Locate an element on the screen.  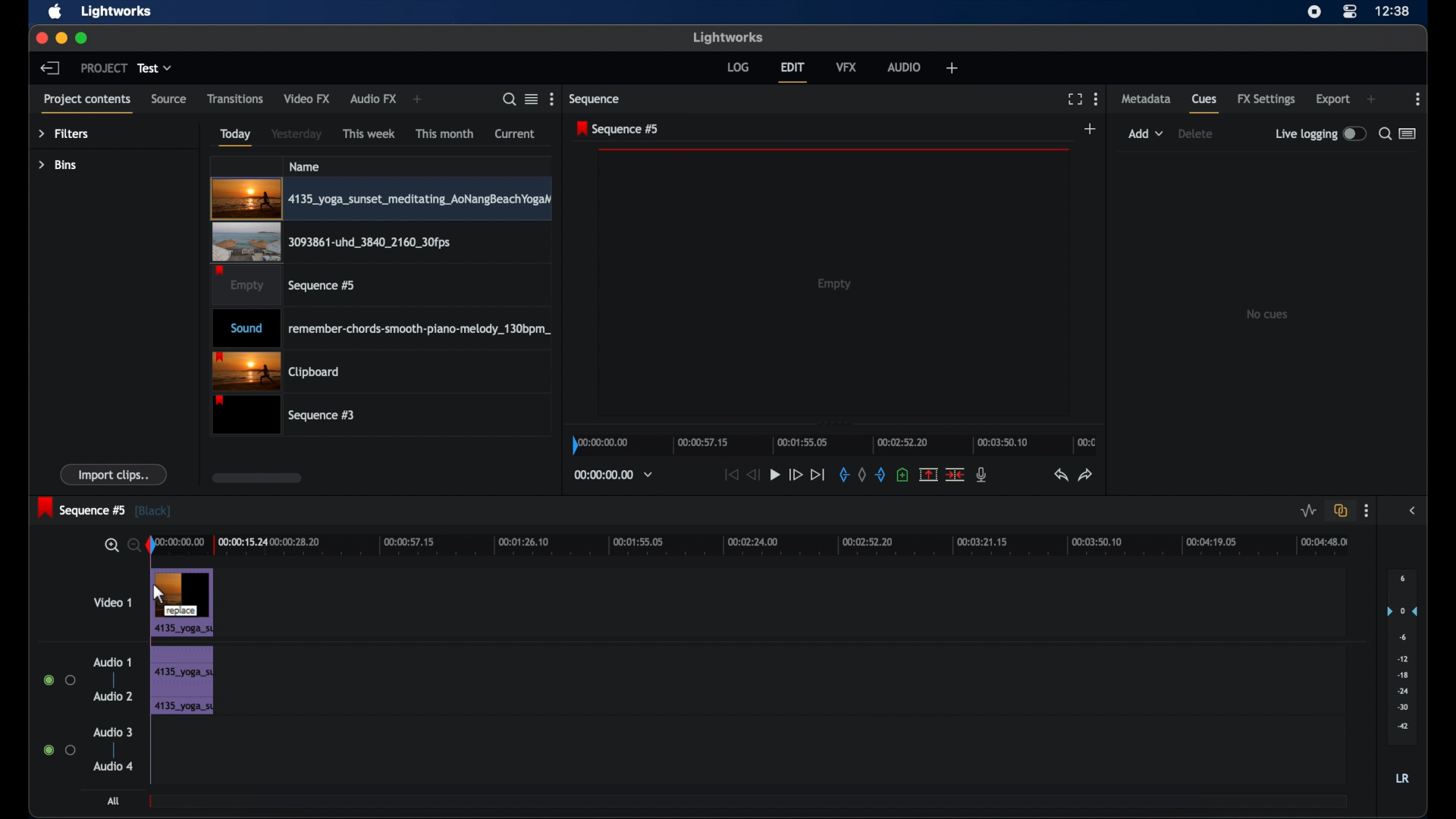
rewind is located at coordinates (754, 475).